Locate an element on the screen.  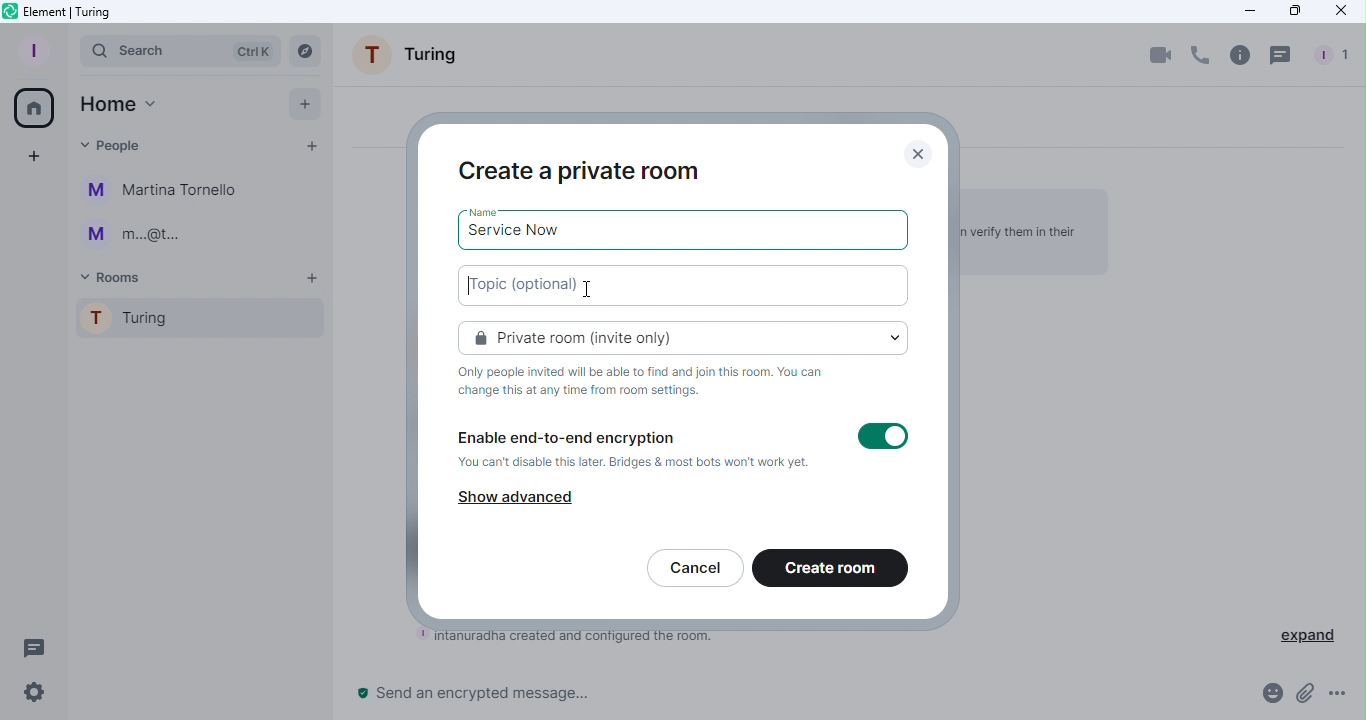
Threads is located at coordinates (30, 645).